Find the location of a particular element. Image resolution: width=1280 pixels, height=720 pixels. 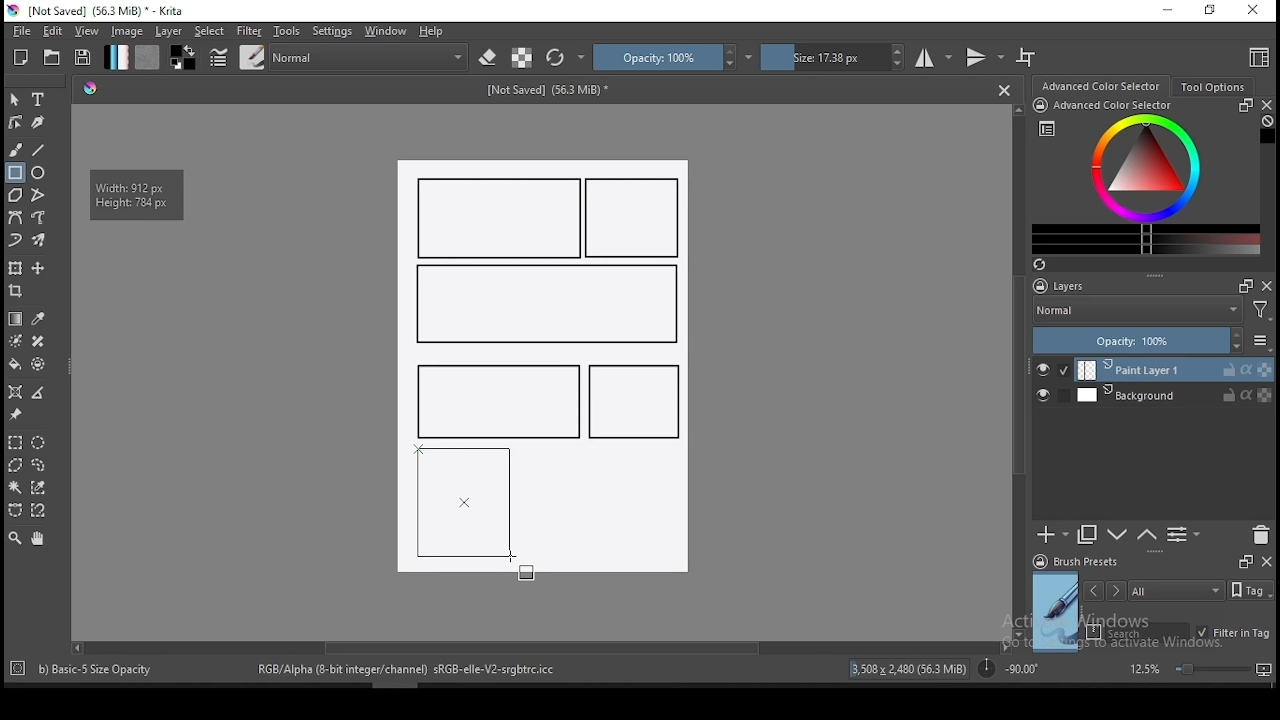

choose workspace is located at coordinates (1257, 57).